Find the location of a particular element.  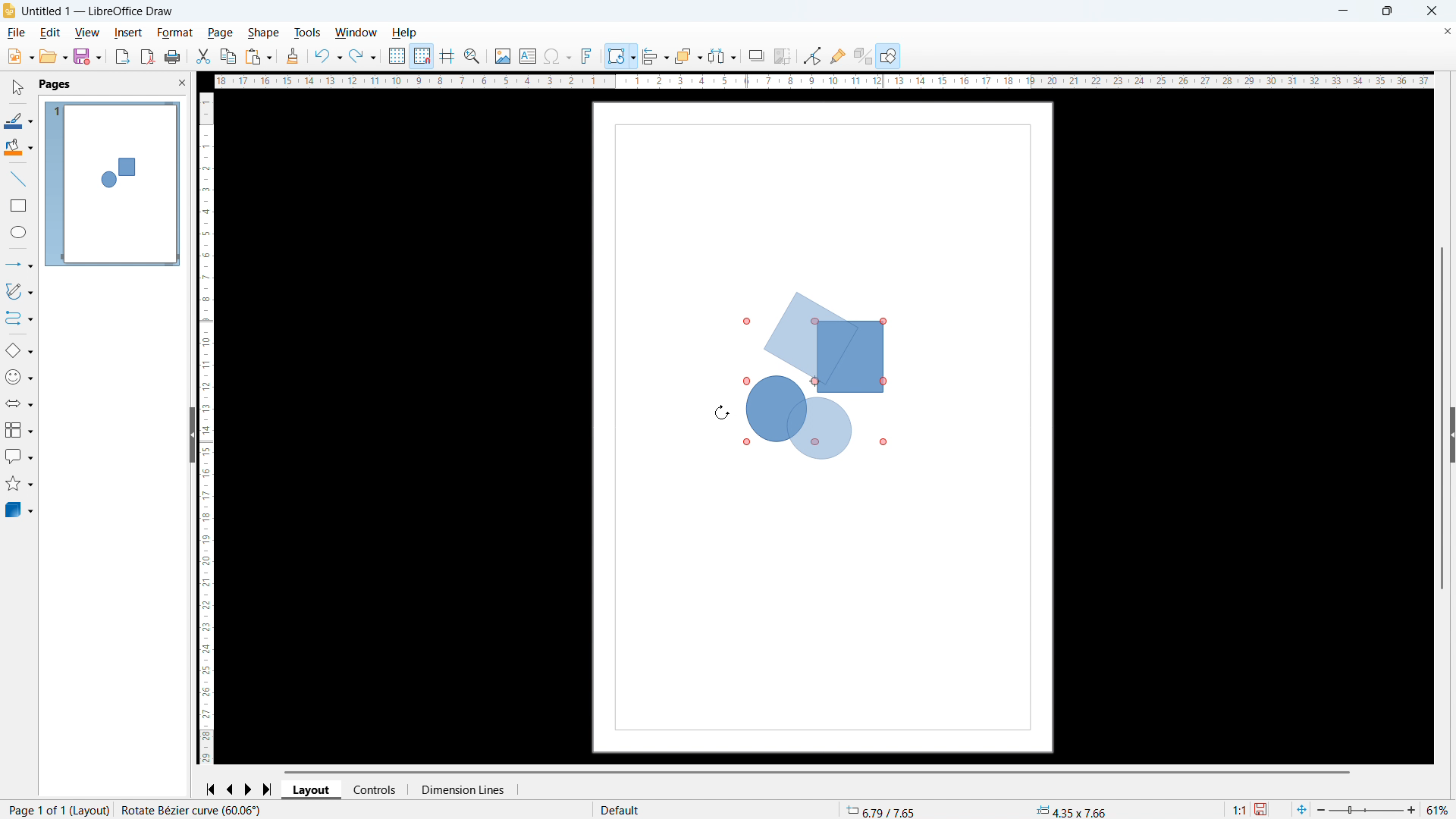

Window  is located at coordinates (355, 33).